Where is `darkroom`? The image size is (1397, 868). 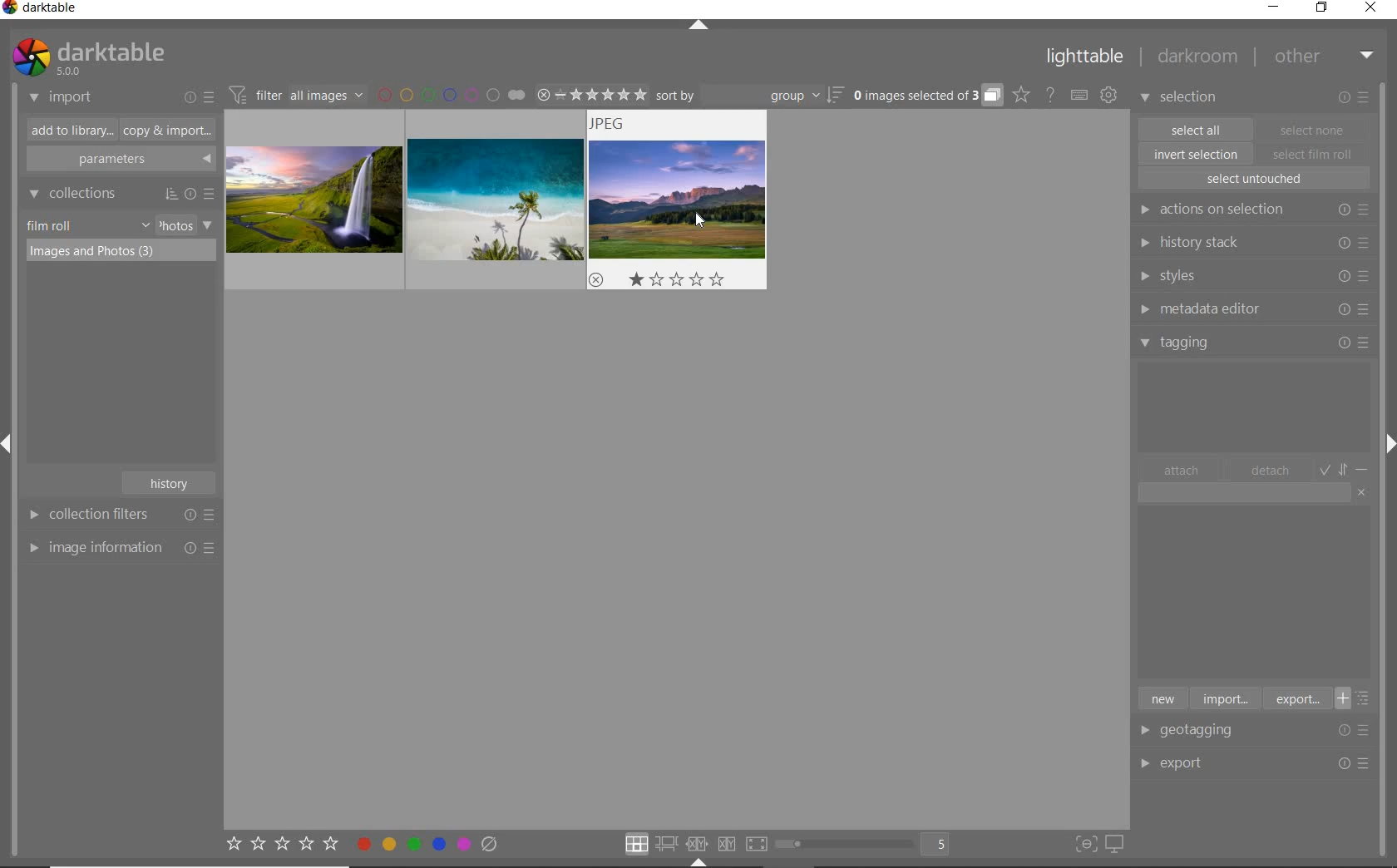
darkroom is located at coordinates (1198, 59).